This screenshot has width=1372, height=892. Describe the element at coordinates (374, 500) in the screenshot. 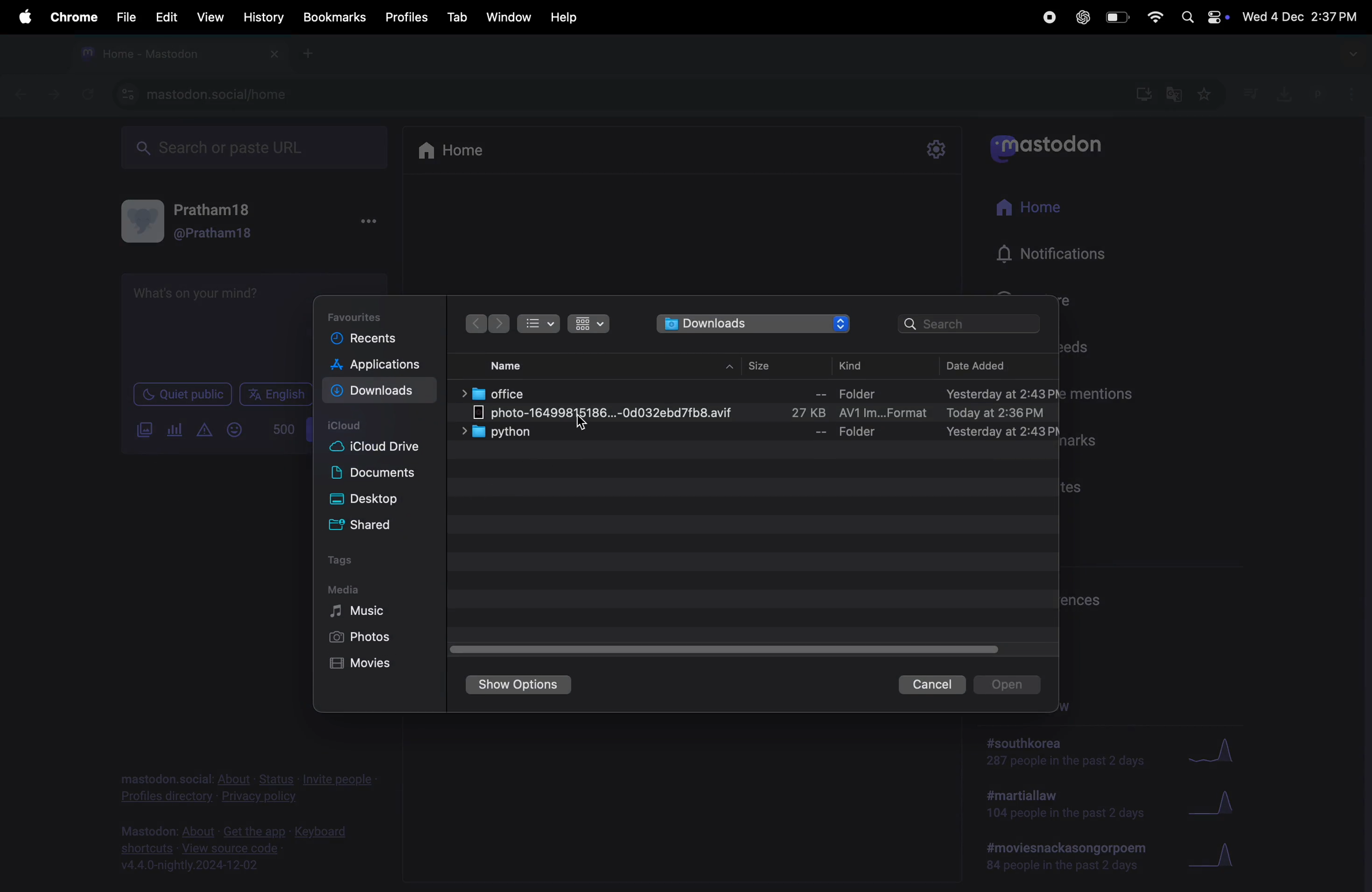

I see `desktop` at that location.